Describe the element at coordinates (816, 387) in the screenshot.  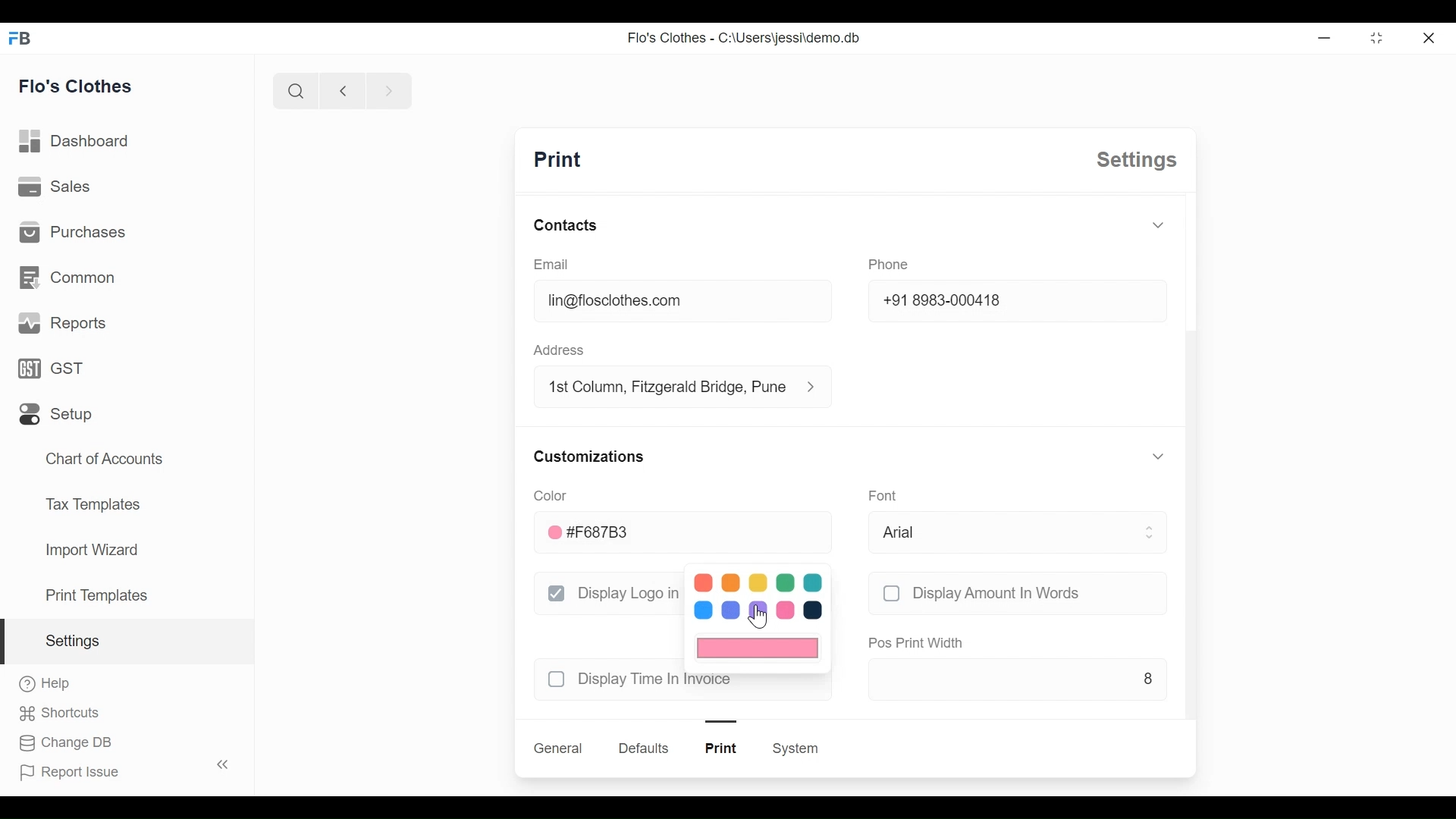
I see `address information` at that location.